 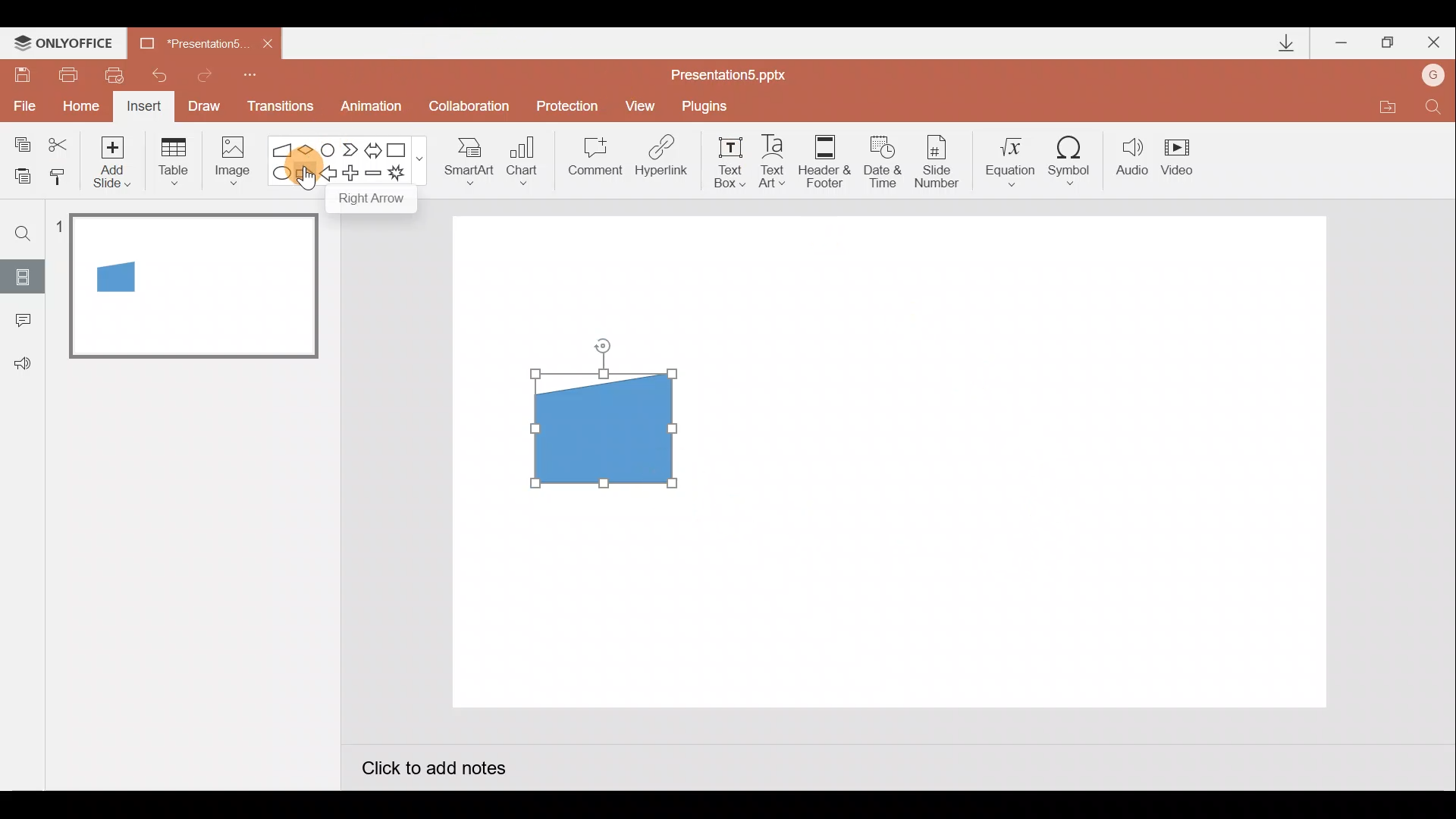 What do you see at coordinates (22, 276) in the screenshot?
I see `Slides` at bounding box center [22, 276].